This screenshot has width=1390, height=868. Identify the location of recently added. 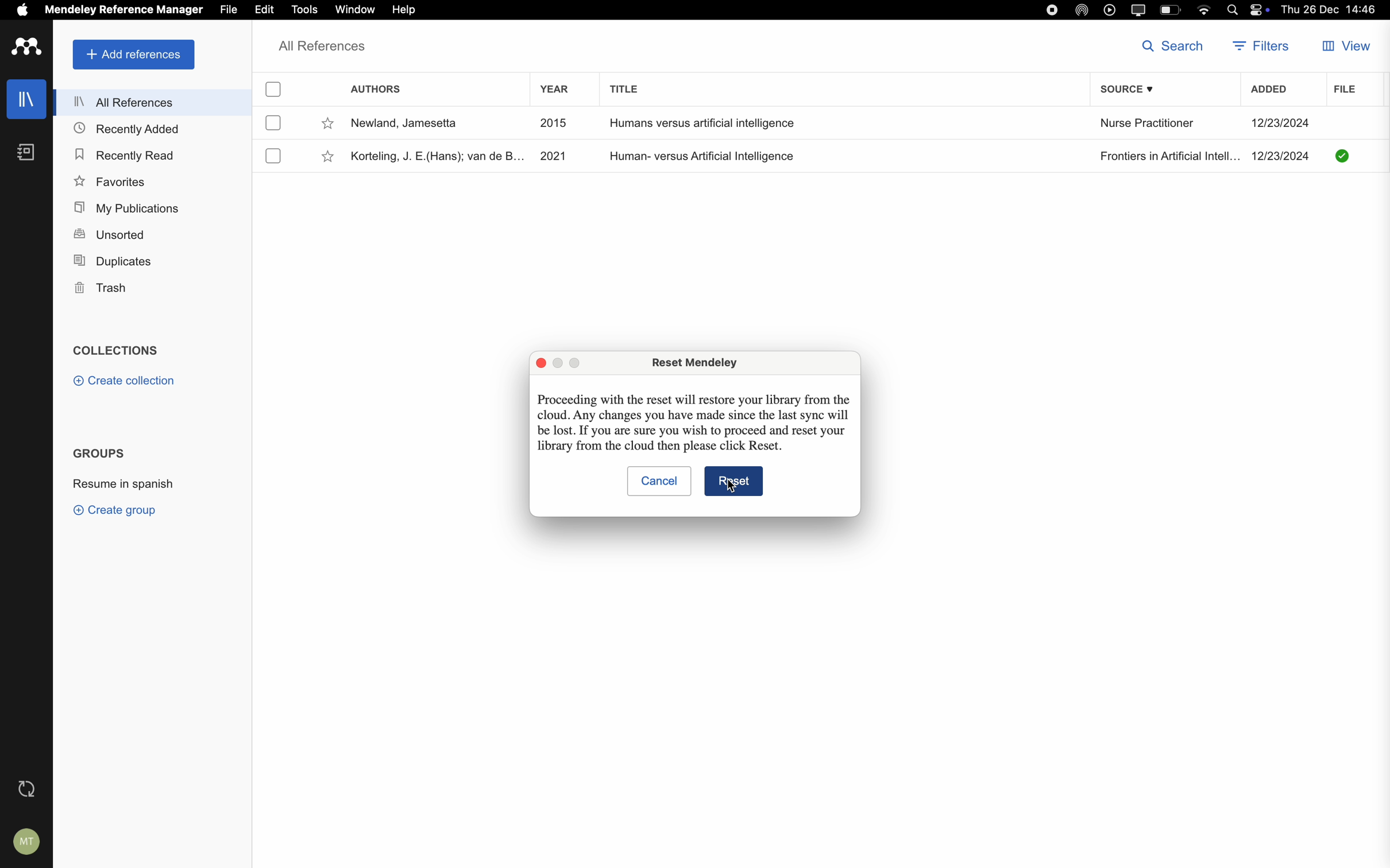
(130, 128).